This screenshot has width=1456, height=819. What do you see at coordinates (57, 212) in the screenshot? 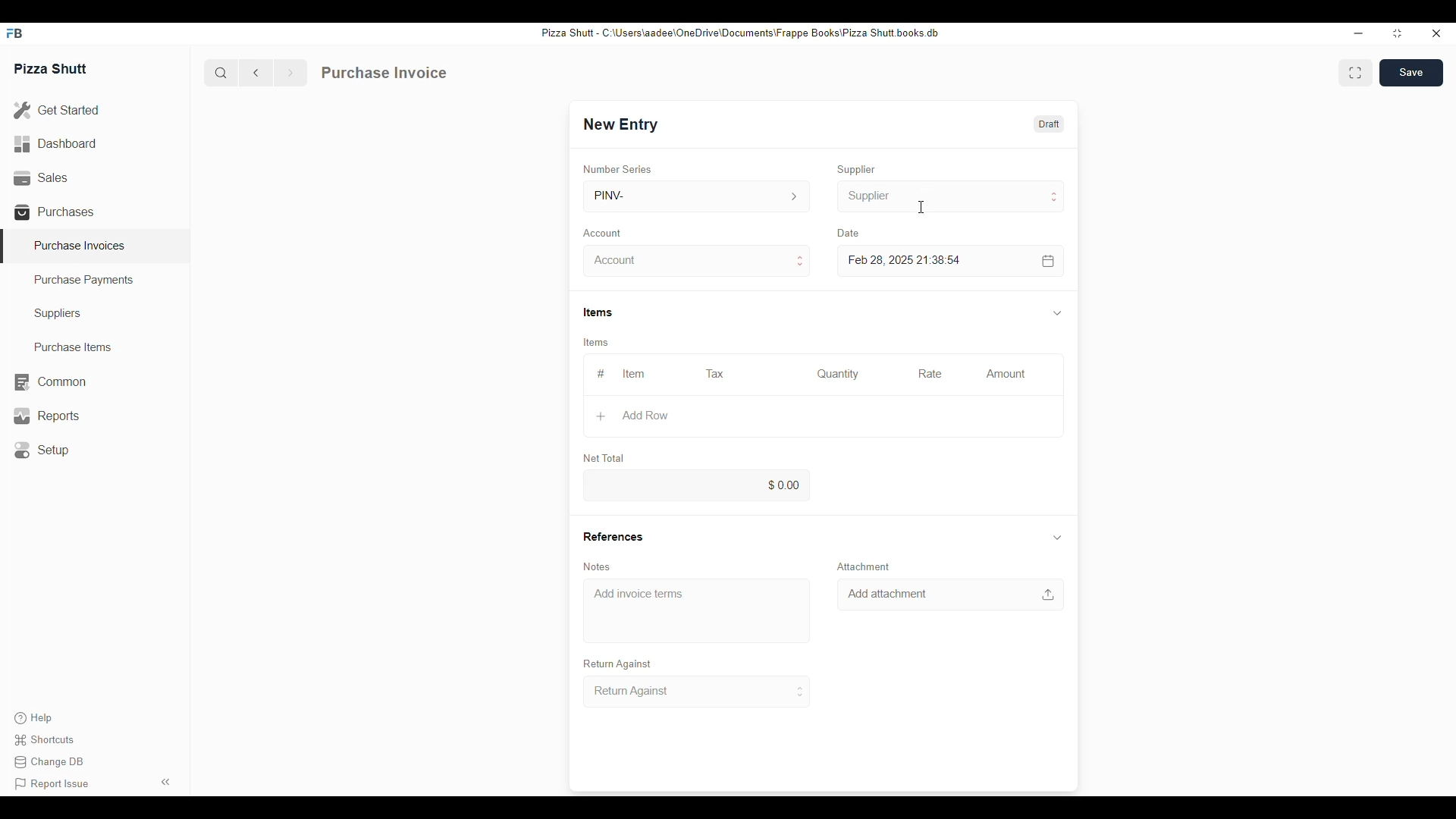
I see `Purchases` at bounding box center [57, 212].